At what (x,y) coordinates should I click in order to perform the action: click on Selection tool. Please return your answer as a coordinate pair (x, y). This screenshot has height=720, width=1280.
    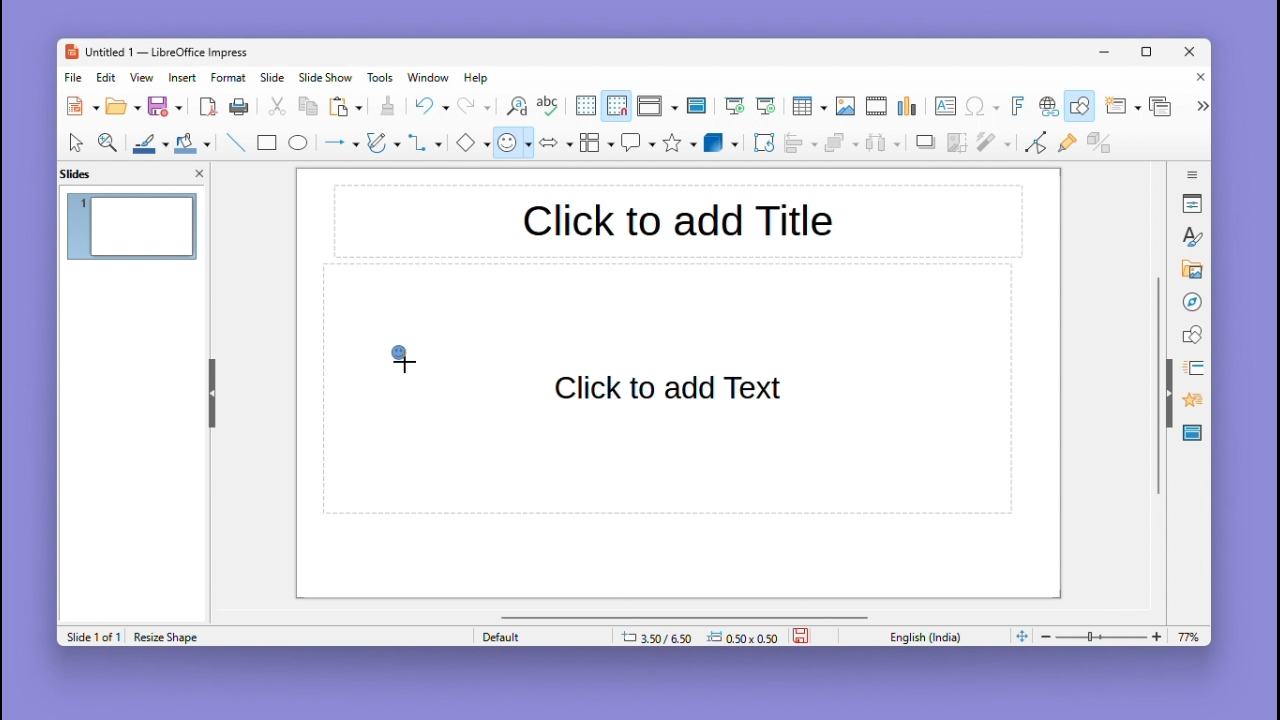
    Looking at the image, I should click on (75, 142).